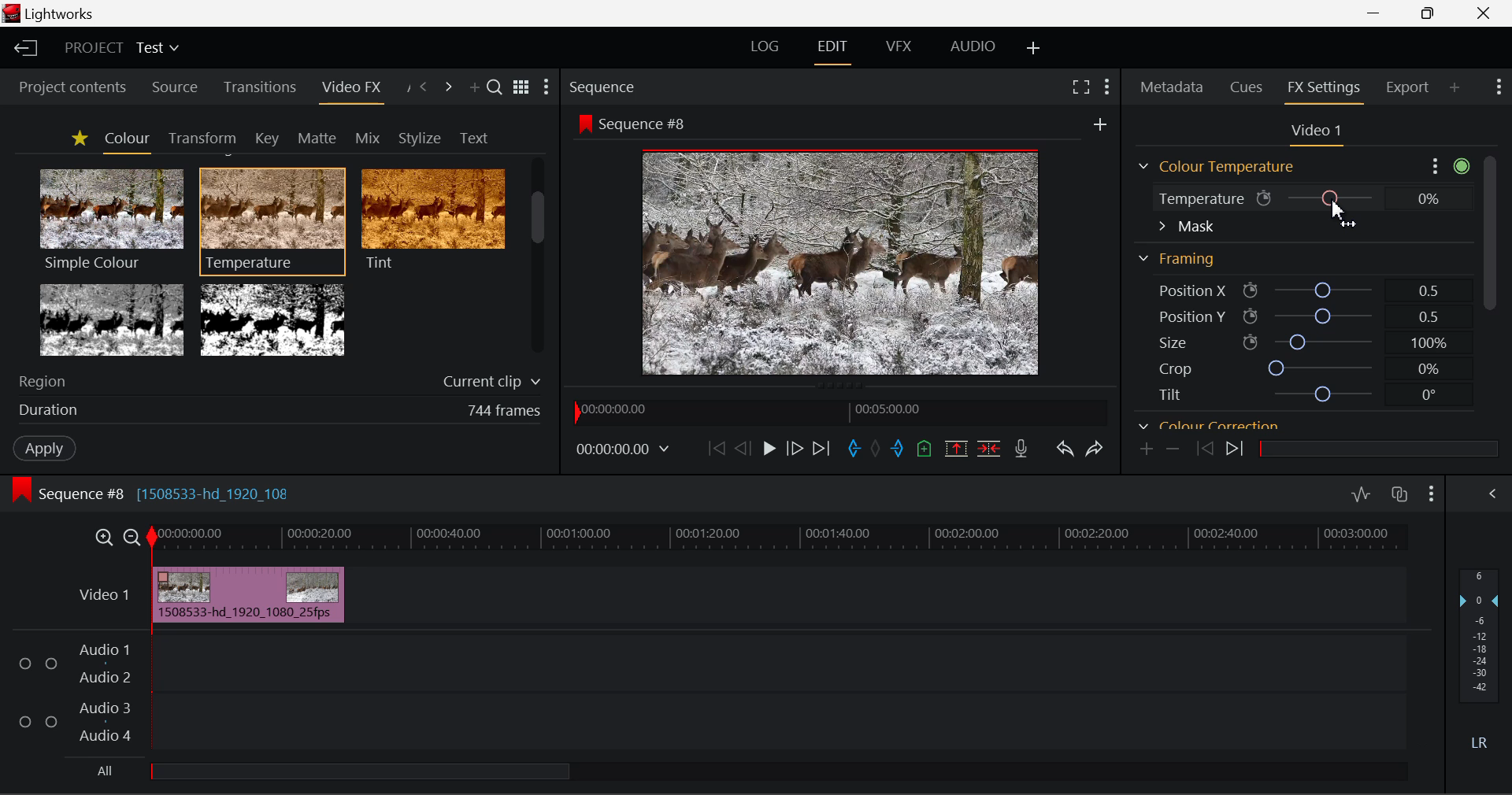 This screenshot has height=795, width=1512. I want to click on Framing Section, so click(1181, 256).